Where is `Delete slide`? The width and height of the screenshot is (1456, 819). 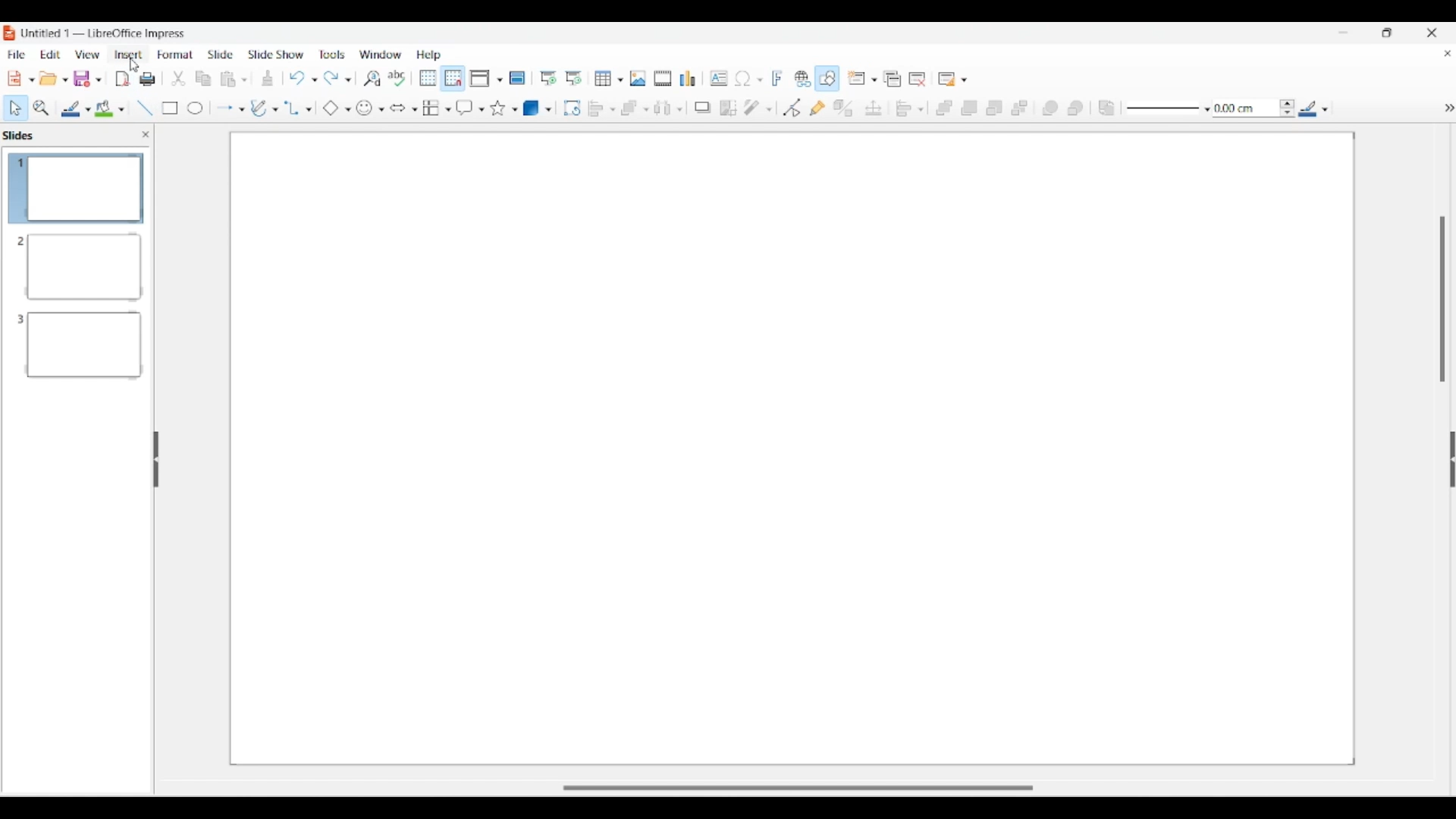
Delete slide is located at coordinates (918, 80).